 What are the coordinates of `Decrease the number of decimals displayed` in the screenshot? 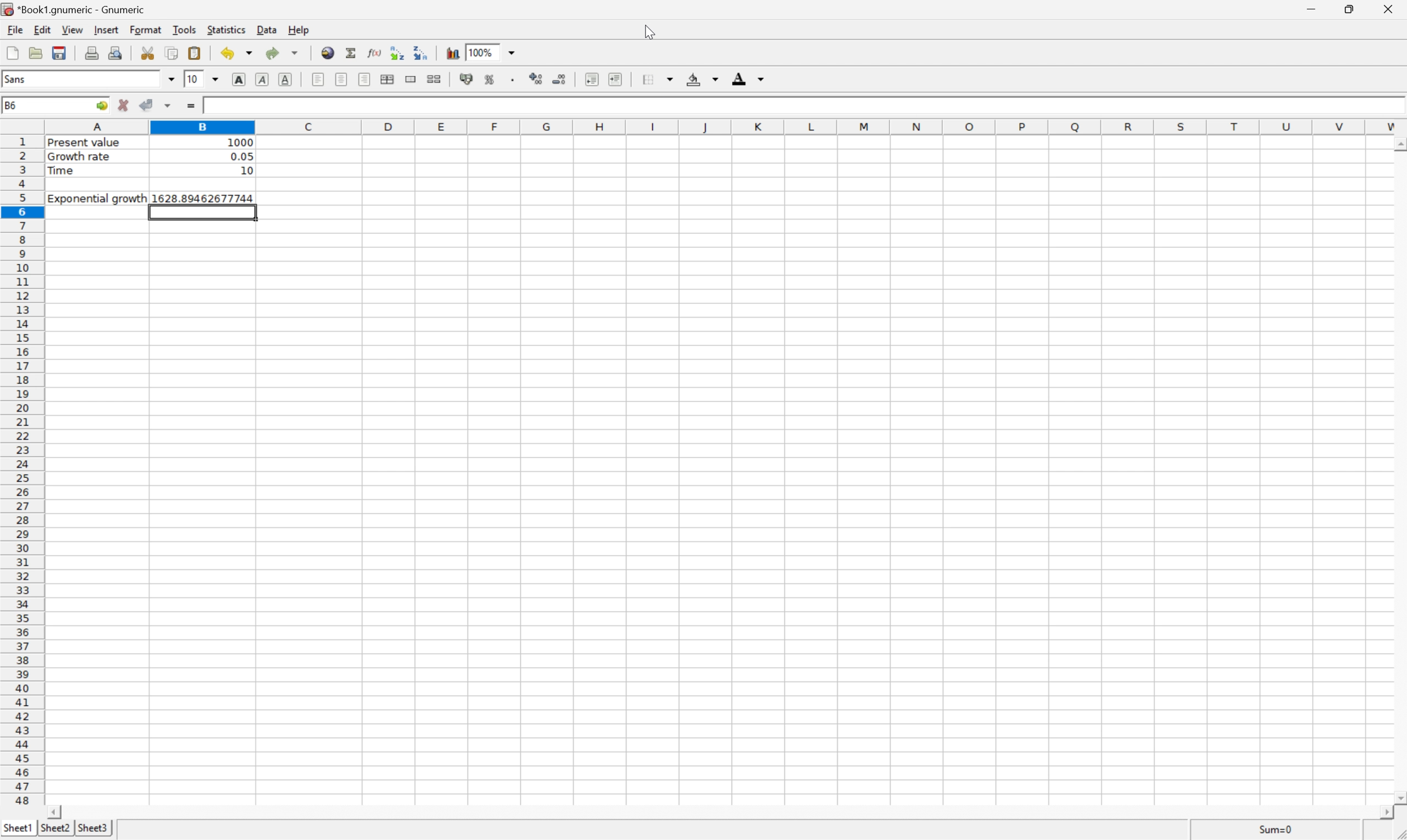 It's located at (559, 79).